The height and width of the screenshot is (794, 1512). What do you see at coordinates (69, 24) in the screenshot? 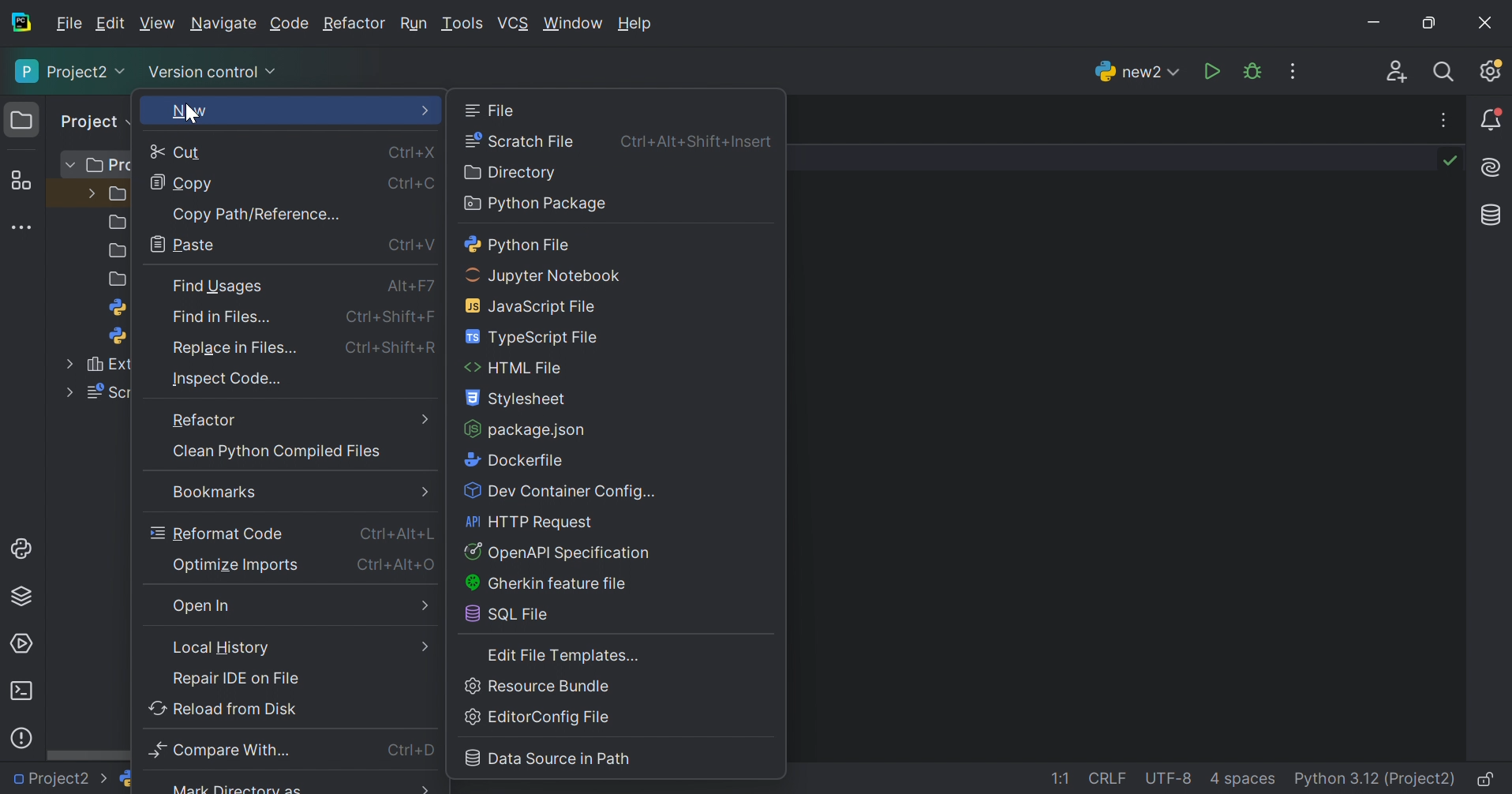
I see `File` at bounding box center [69, 24].